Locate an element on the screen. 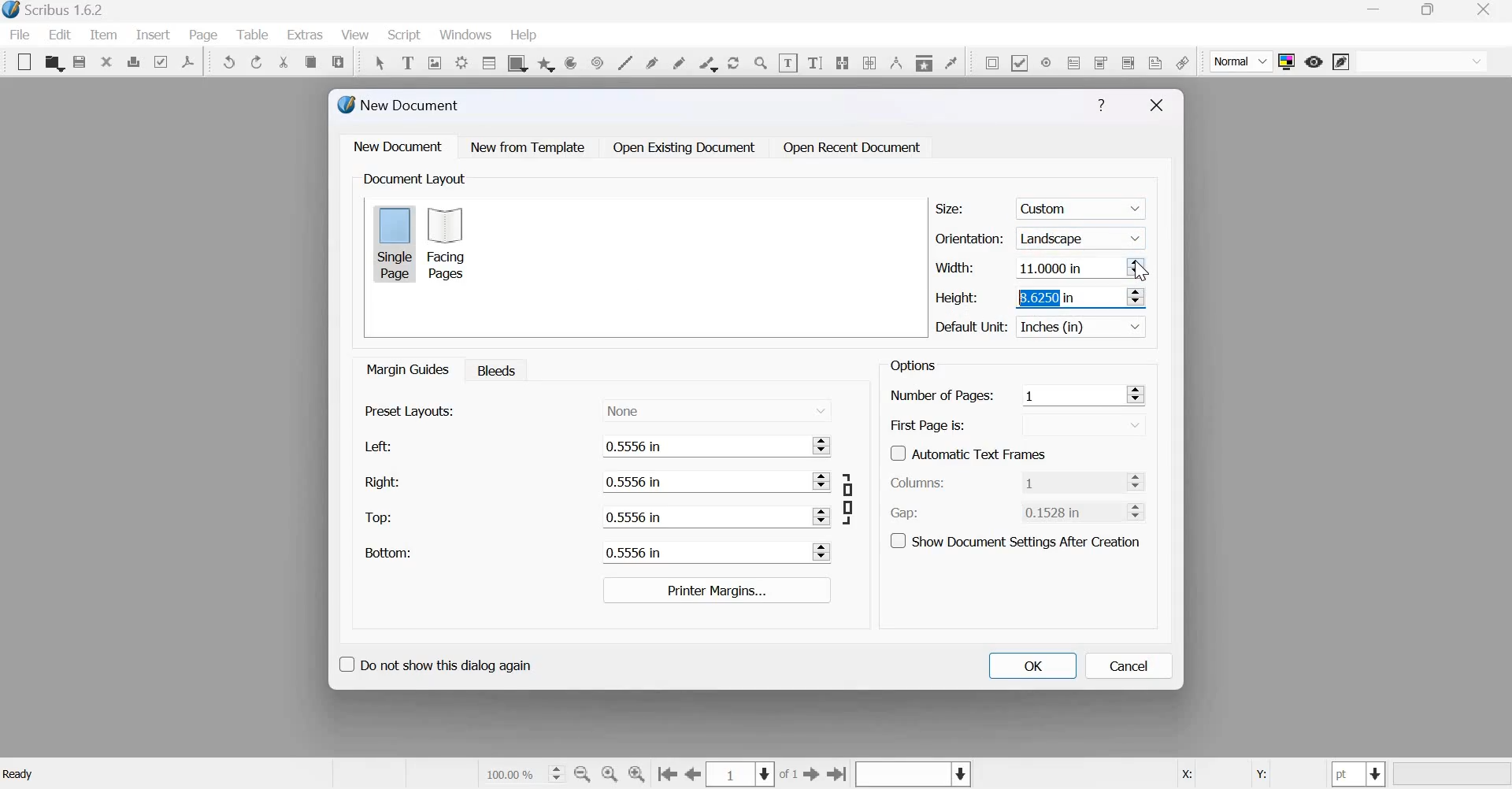 The height and width of the screenshot is (789, 1512). minimize is located at coordinates (1376, 11).